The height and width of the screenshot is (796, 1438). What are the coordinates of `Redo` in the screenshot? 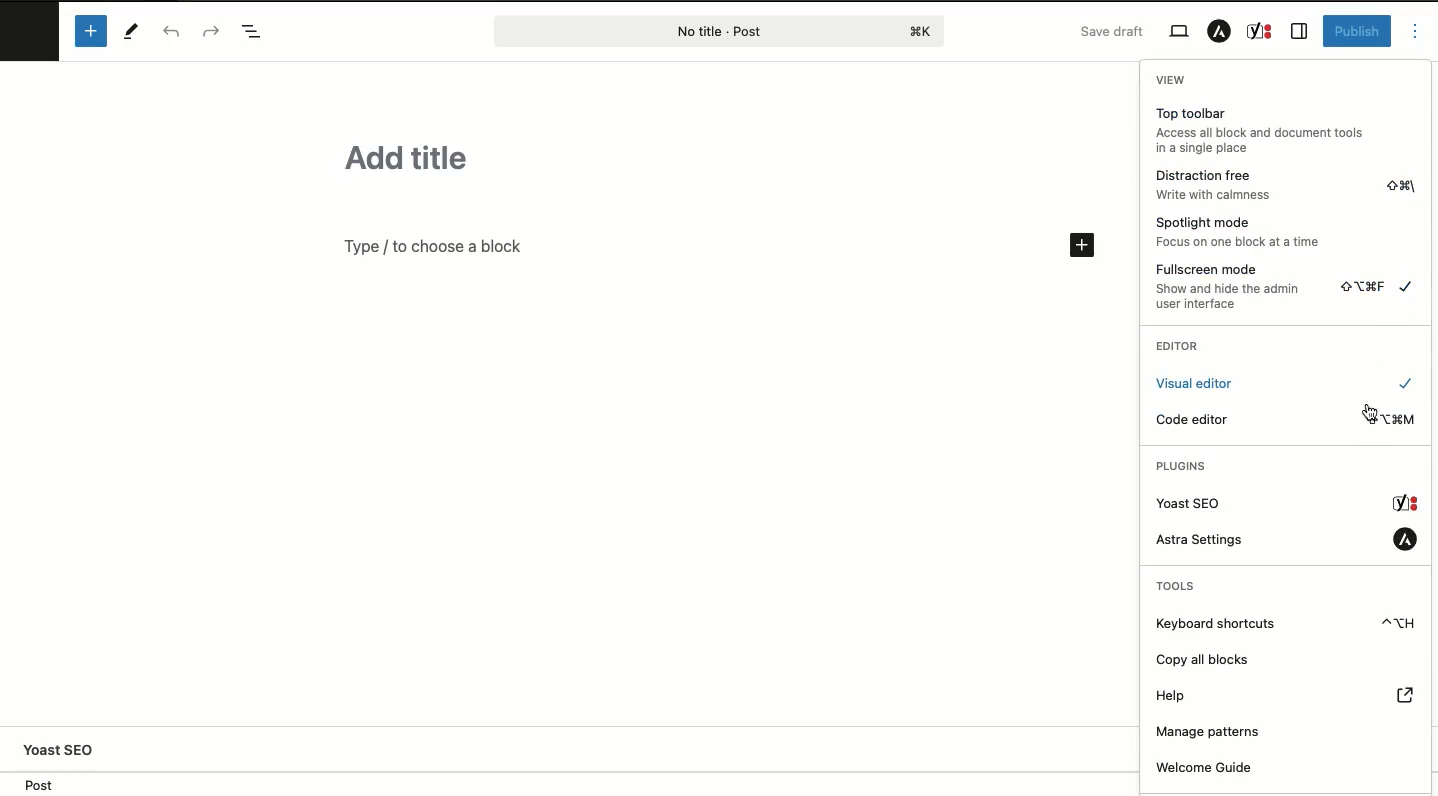 It's located at (212, 32).